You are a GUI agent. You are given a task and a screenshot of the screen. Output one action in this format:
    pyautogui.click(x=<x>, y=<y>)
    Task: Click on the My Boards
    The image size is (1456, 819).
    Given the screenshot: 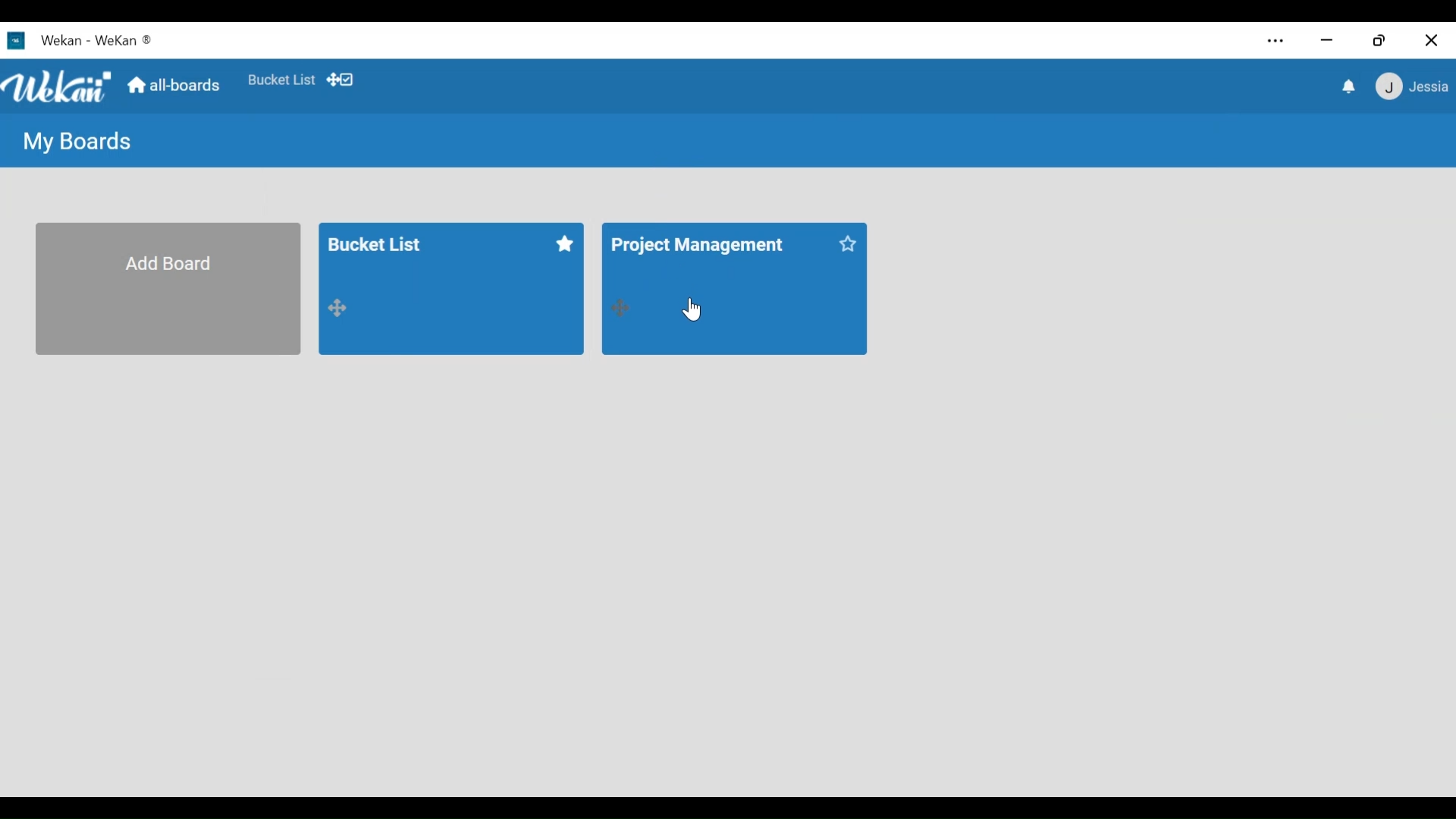 What is the action you would take?
    pyautogui.click(x=75, y=141)
    